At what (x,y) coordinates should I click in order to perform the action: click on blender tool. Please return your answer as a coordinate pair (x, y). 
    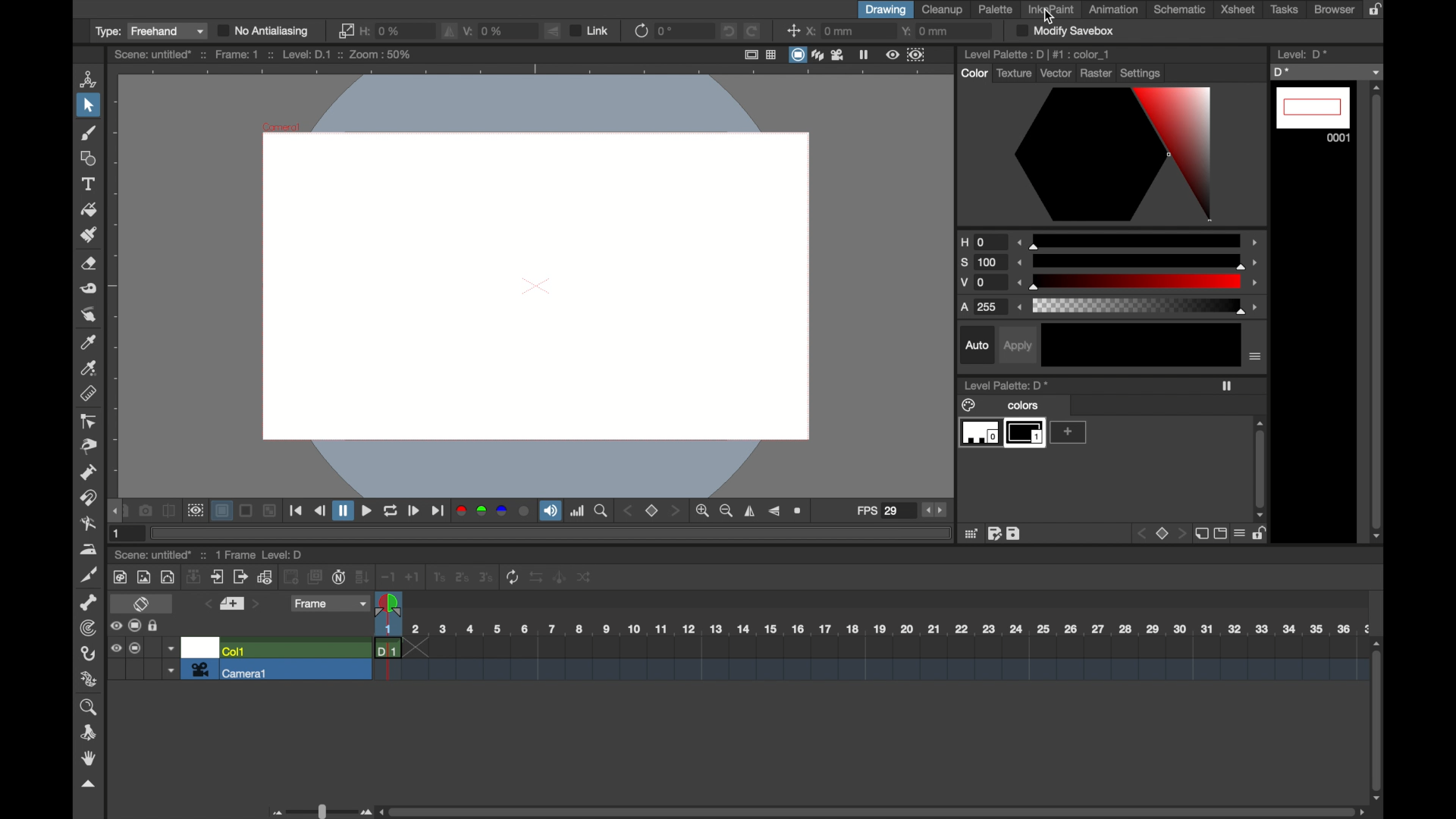
    Looking at the image, I should click on (87, 524).